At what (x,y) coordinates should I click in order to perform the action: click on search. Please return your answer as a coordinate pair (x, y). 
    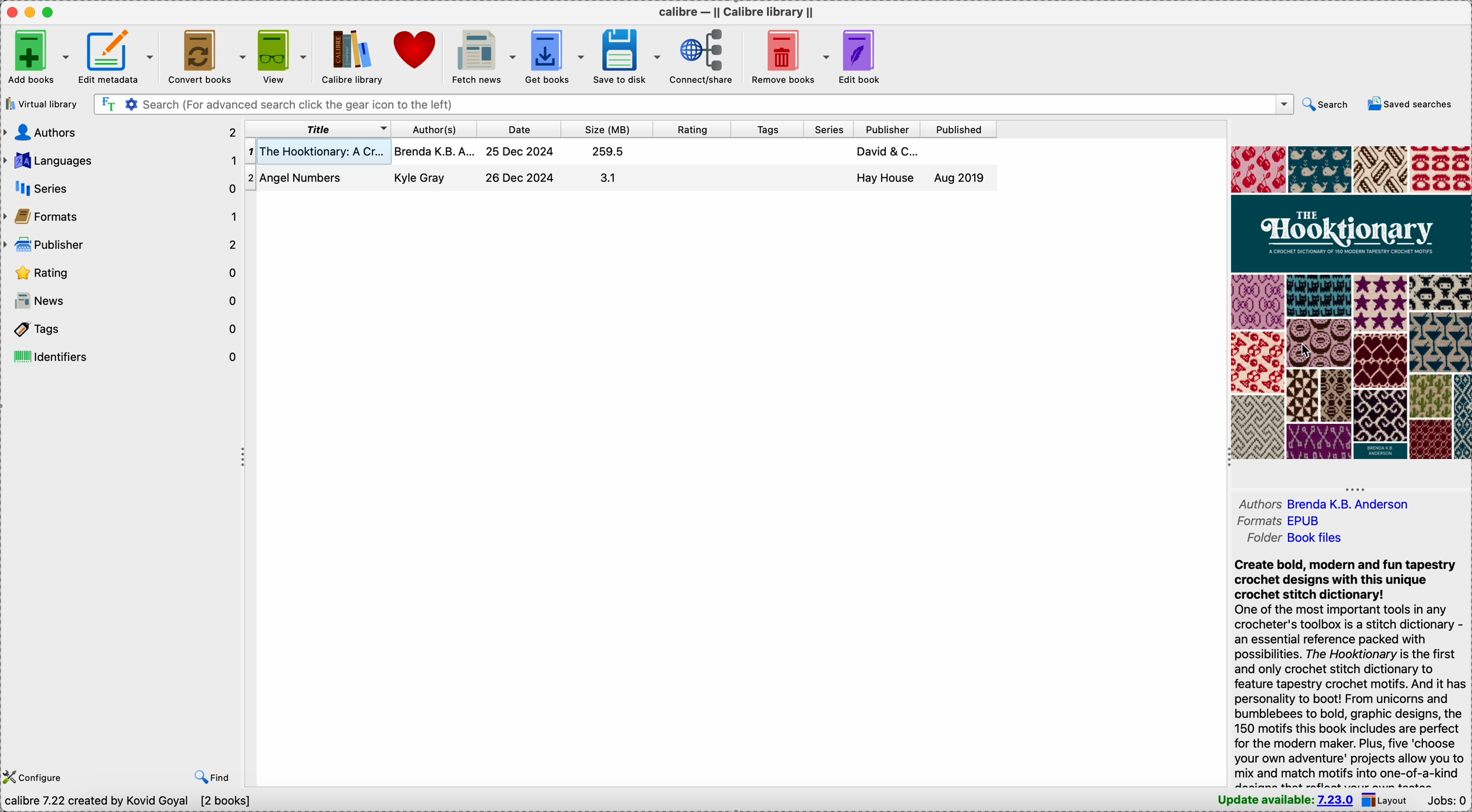
    Looking at the image, I should click on (1327, 105).